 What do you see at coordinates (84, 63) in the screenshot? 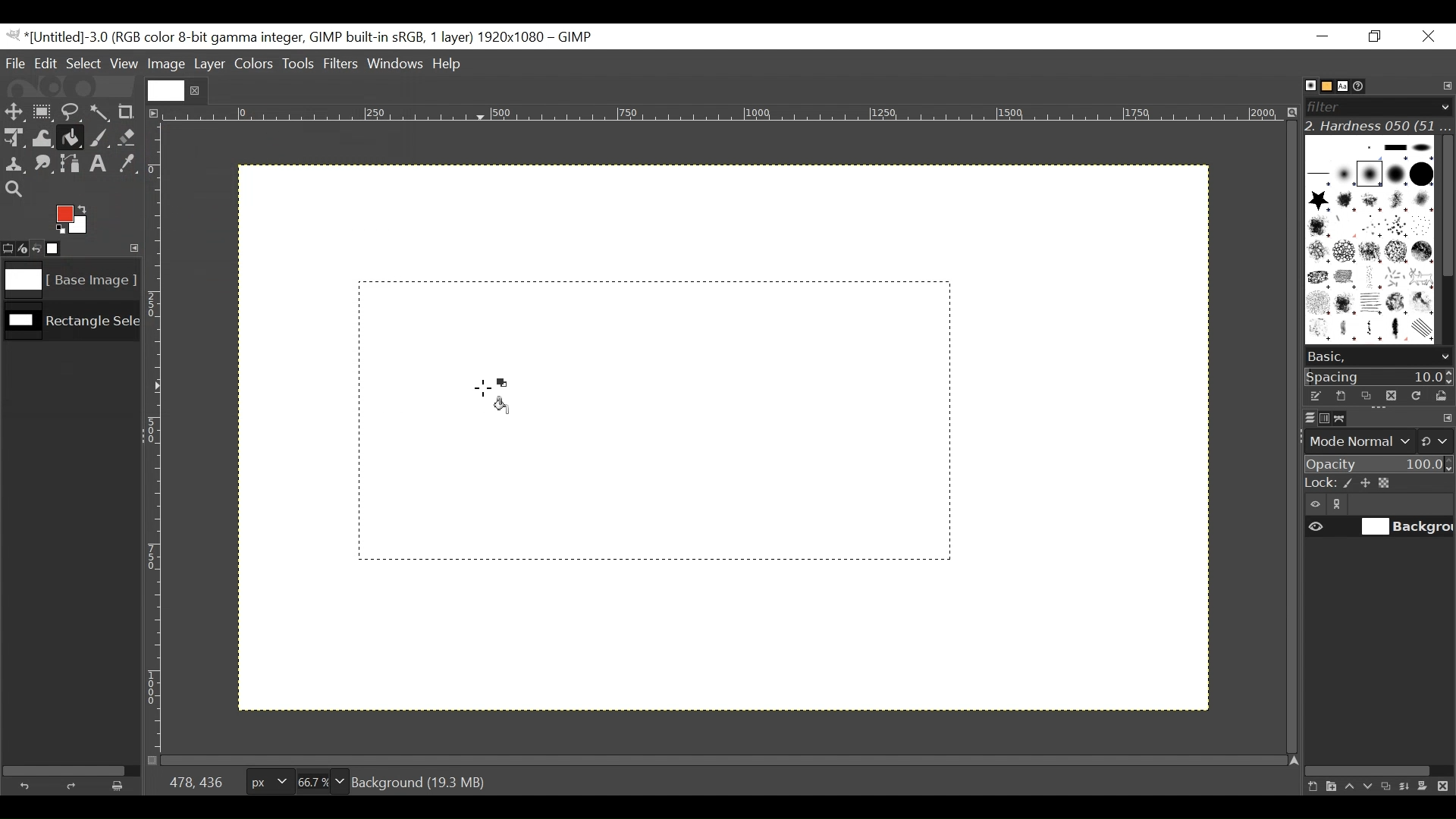
I see `Select` at bounding box center [84, 63].